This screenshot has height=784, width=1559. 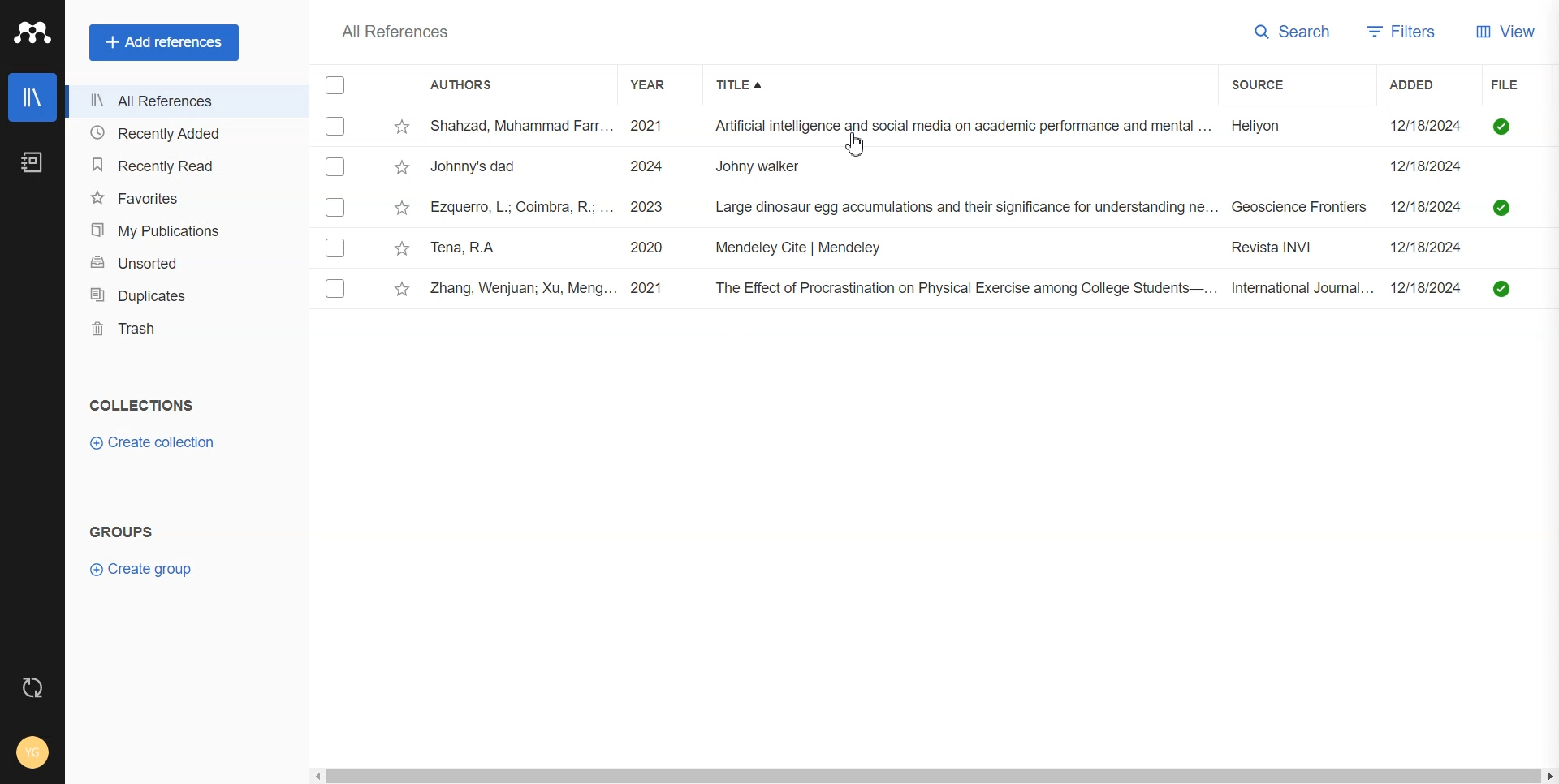 What do you see at coordinates (403, 289) in the screenshot?
I see `star` at bounding box center [403, 289].